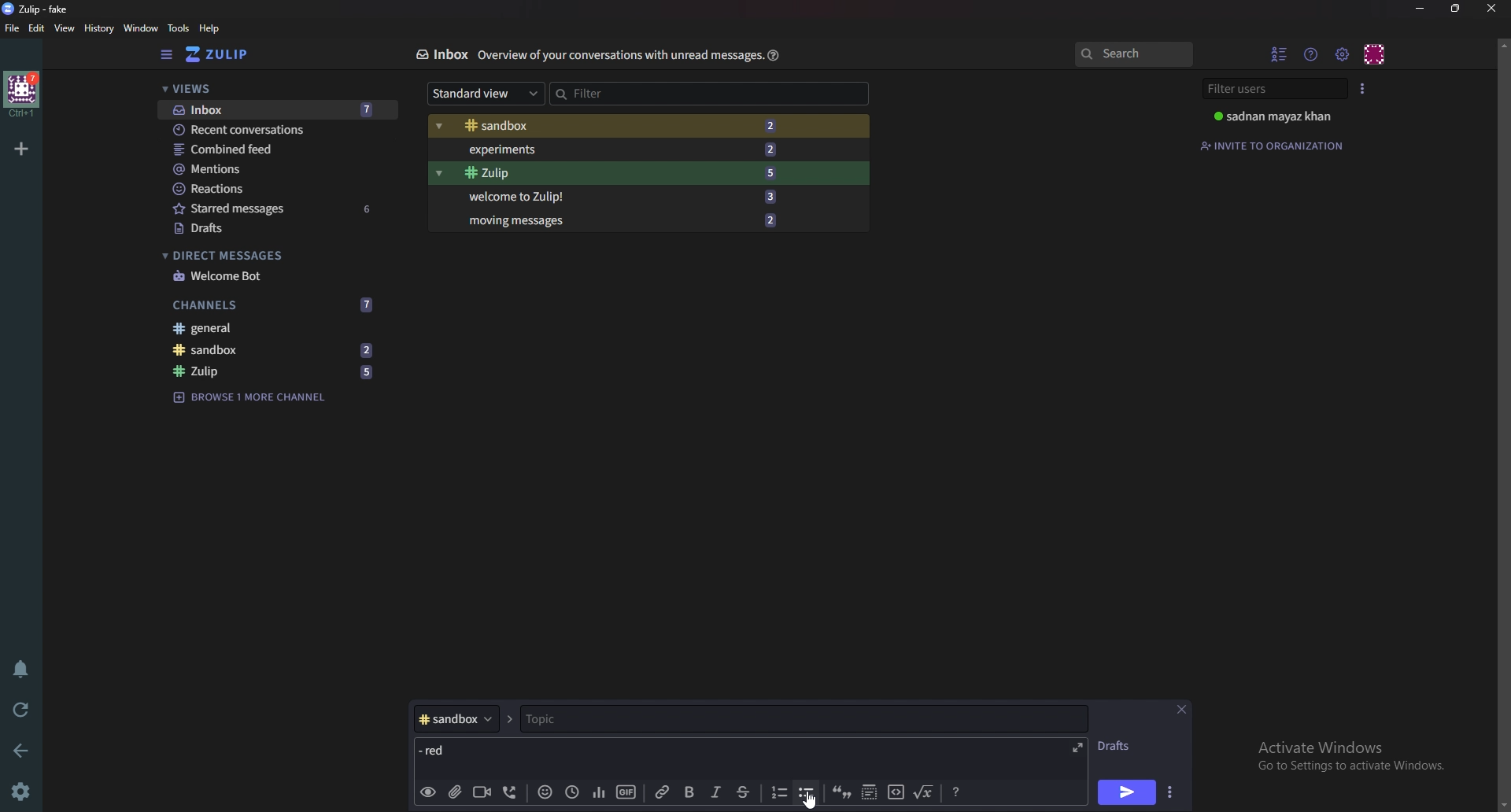 This screenshot has height=812, width=1511. What do you see at coordinates (571, 792) in the screenshot?
I see `Global time` at bounding box center [571, 792].